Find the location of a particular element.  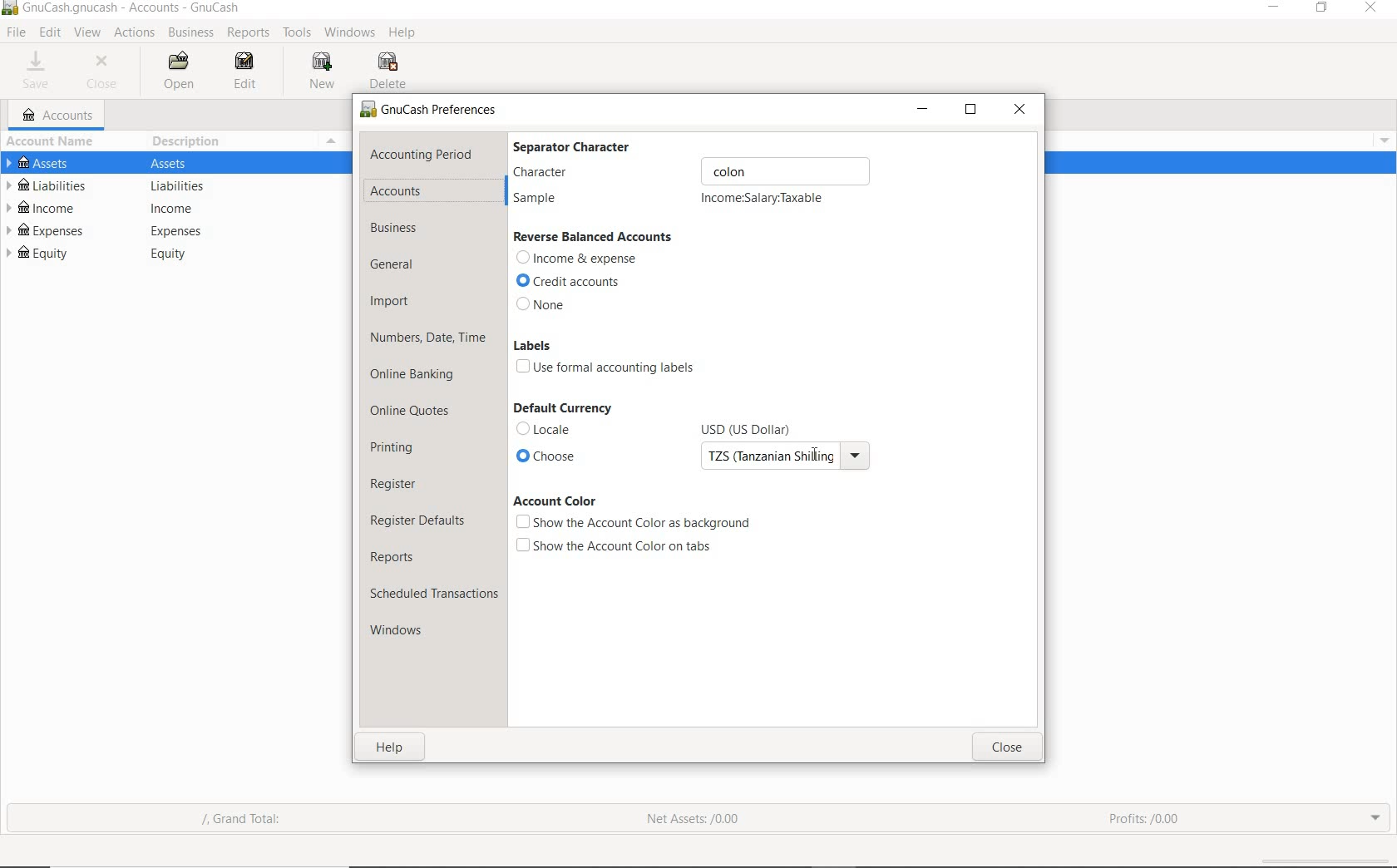

sample is located at coordinates (541, 200).